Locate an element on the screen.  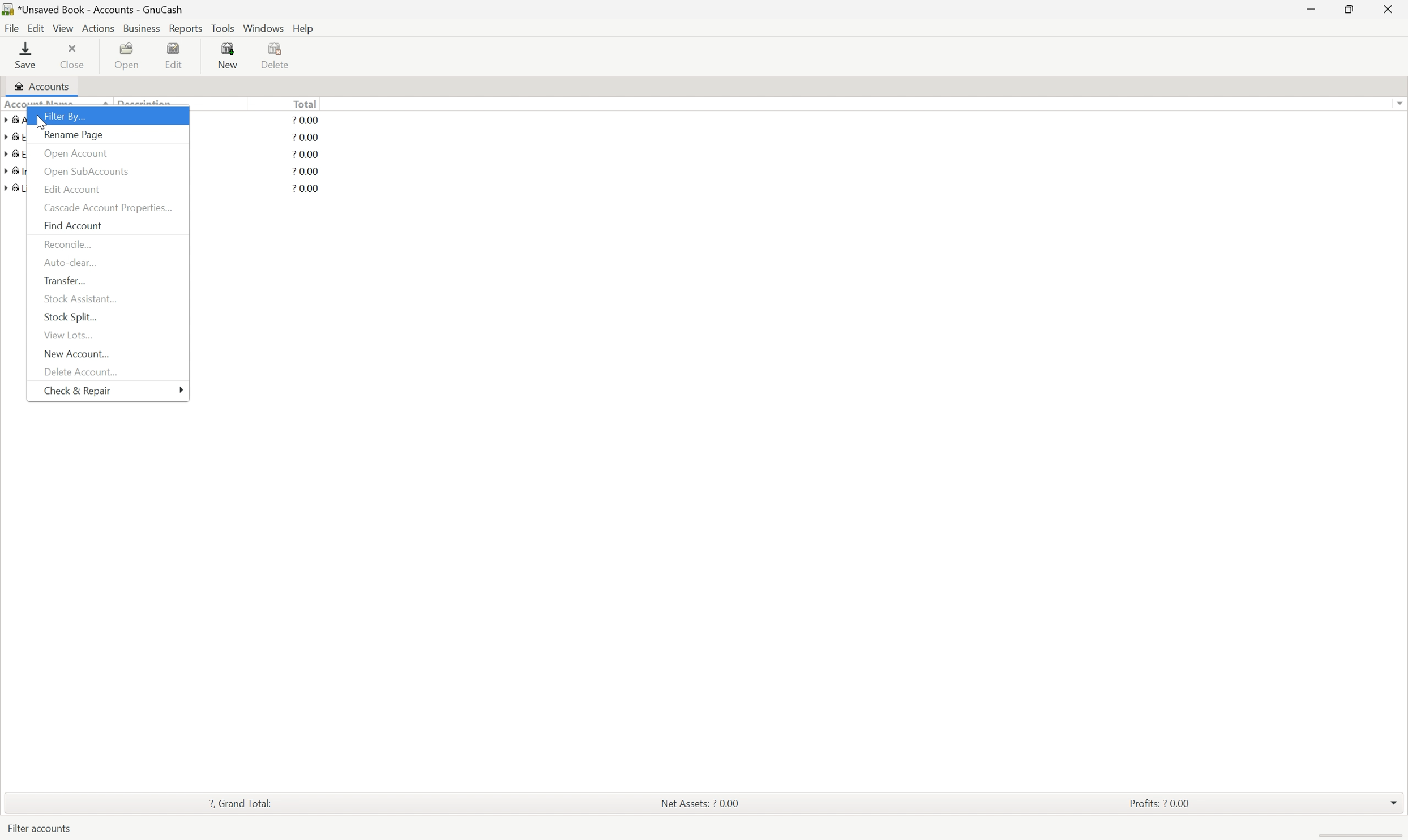
? Grand total is located at coordinates (238, 802).